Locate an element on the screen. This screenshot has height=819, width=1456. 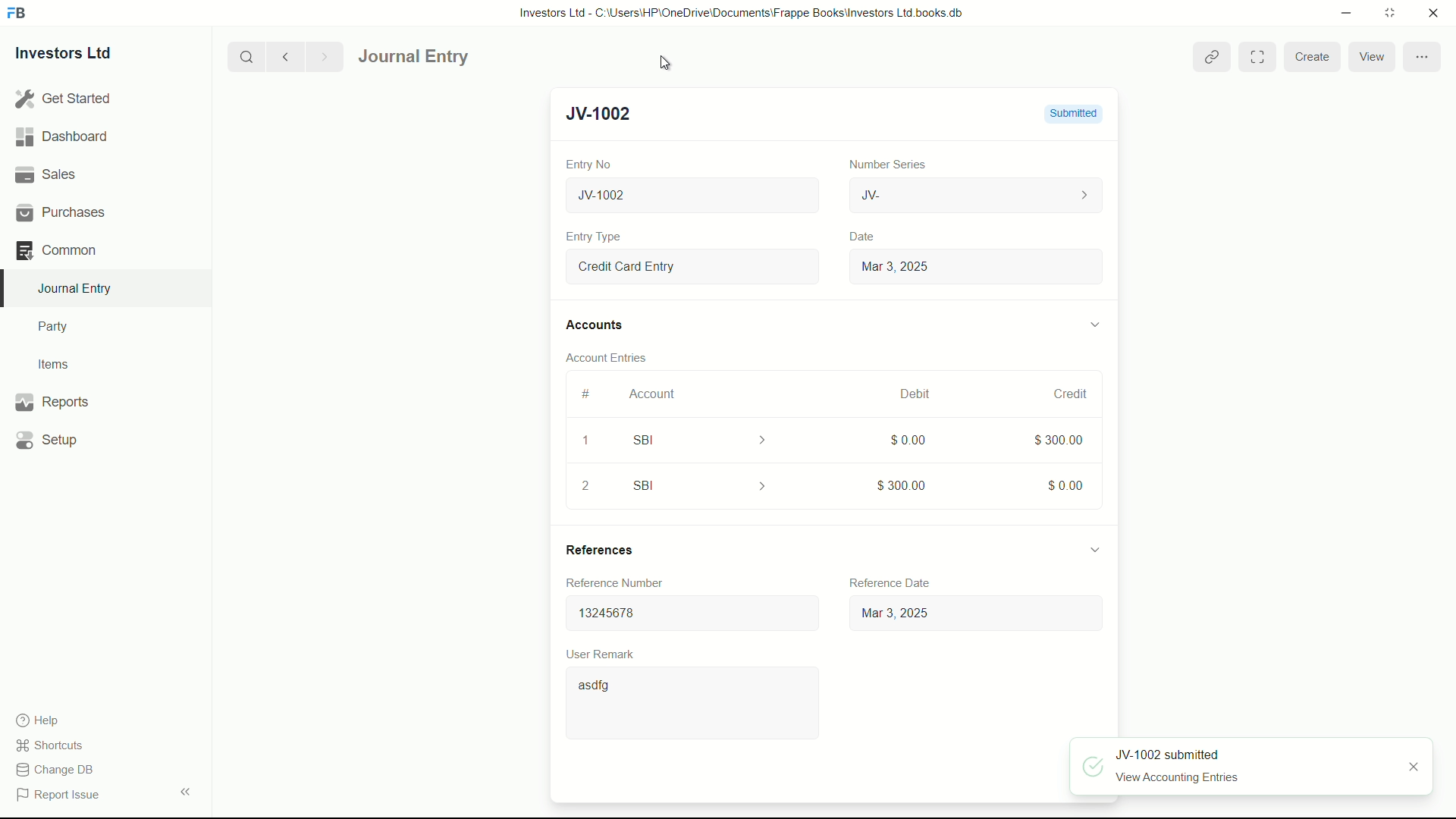
$0.00 is located at coordinates (905, 439).